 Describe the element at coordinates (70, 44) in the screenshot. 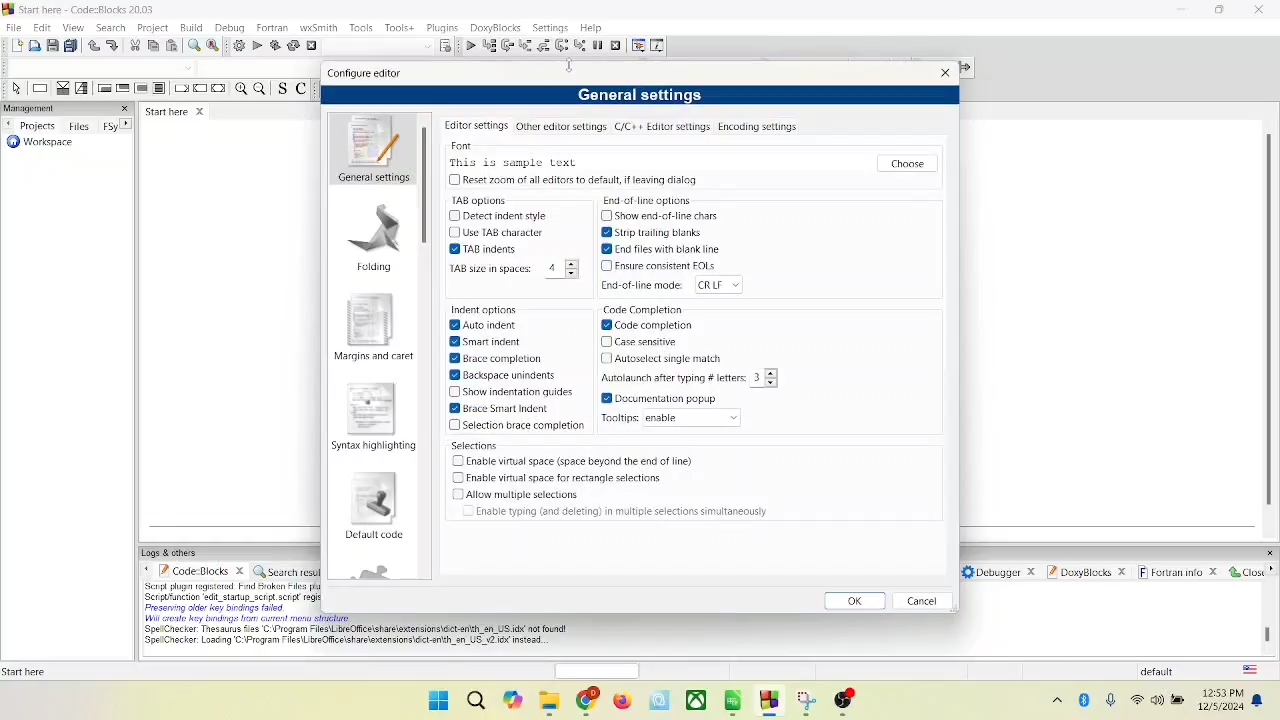

I see `save everything` at that location.